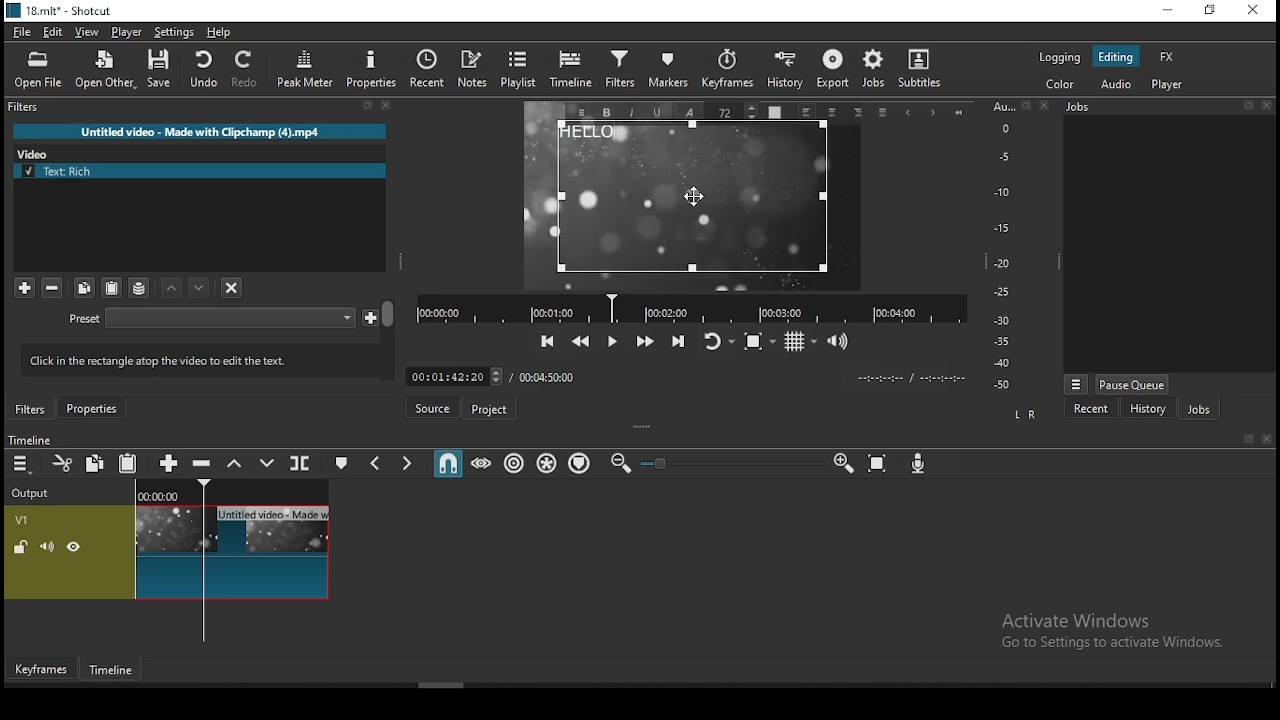  Describe the element at coordinates (31, 409) in the screenshot. I see `filters` at that location.